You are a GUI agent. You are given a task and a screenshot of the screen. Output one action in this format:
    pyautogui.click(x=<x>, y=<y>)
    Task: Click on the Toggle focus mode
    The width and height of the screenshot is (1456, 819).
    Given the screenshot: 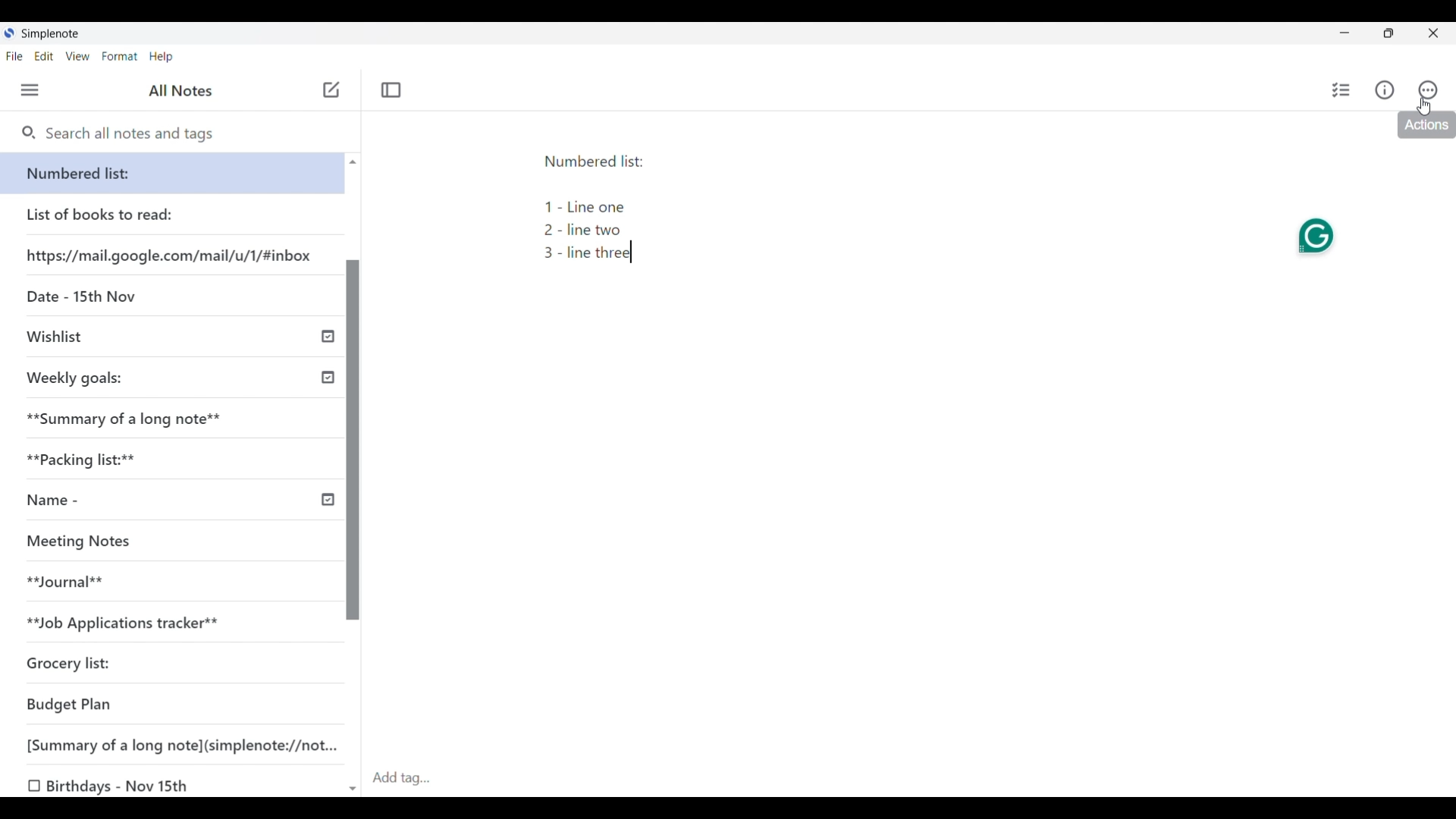 What is the action you would take?
    pyautogui.click(x=392, y=89)
    